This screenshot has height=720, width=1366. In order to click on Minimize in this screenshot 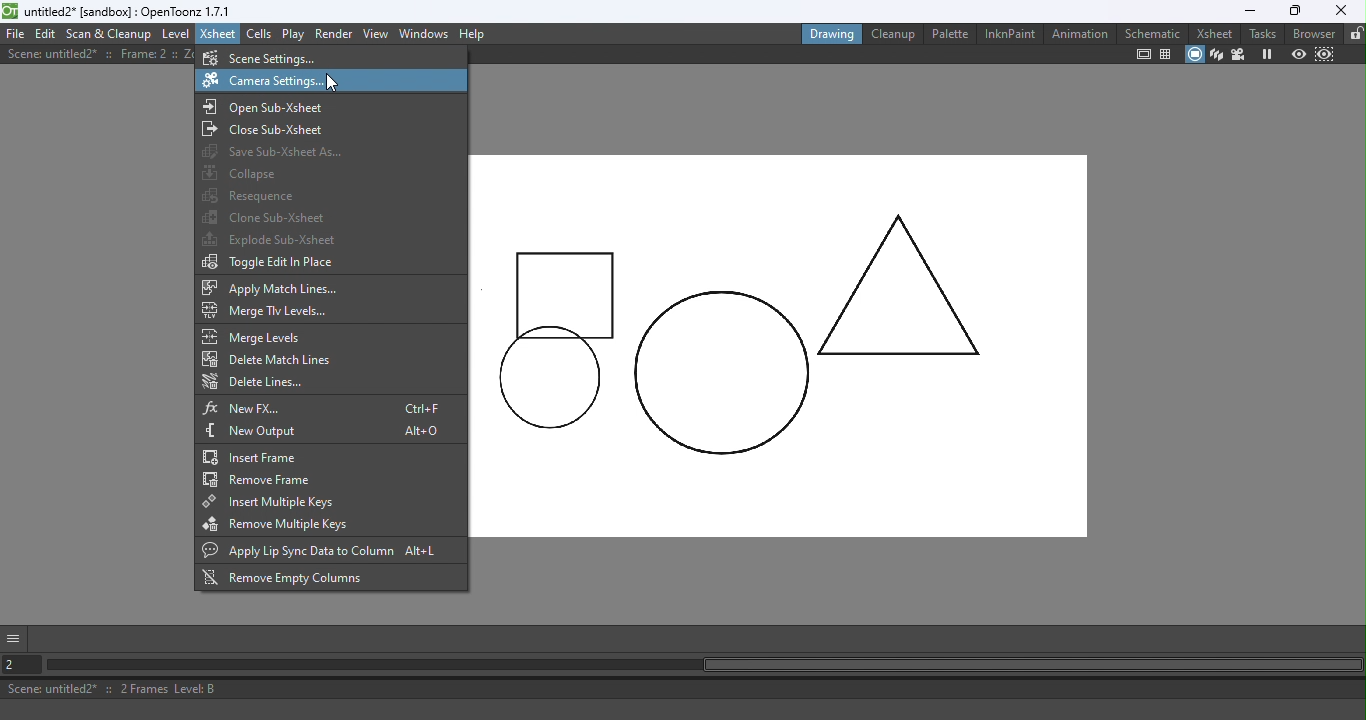, I will do `click(1243, 11)`.